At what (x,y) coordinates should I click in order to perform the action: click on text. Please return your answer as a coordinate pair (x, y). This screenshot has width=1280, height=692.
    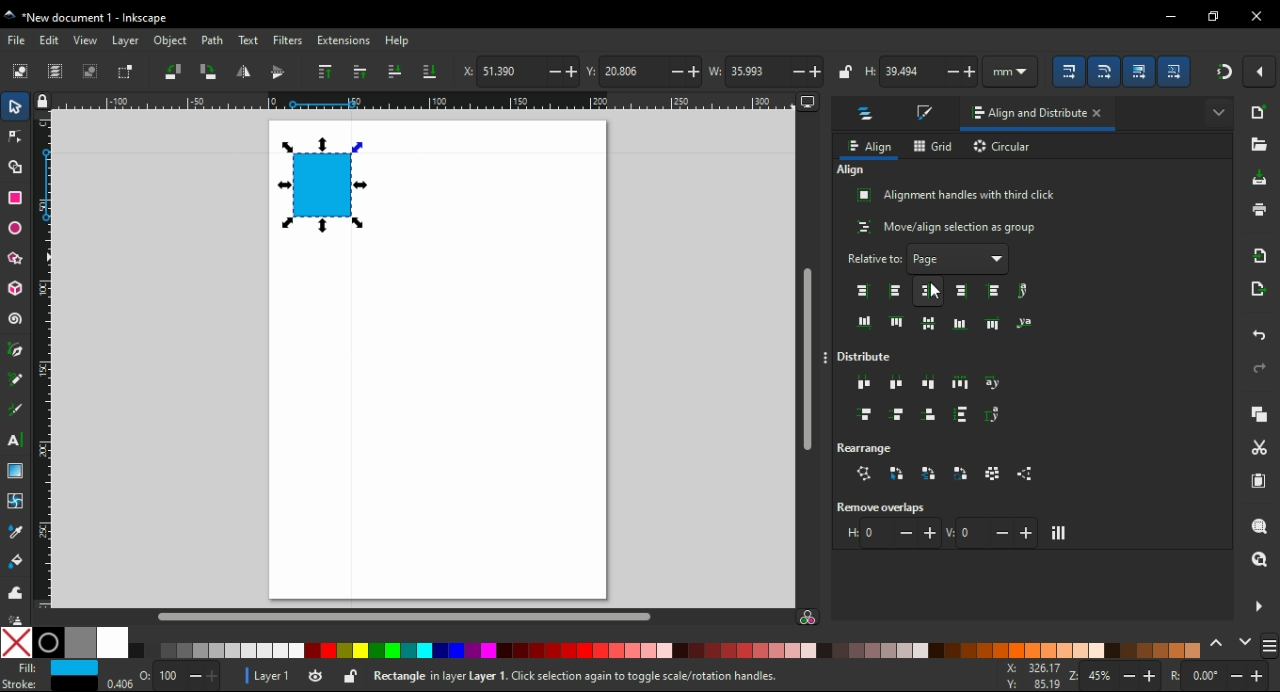
    Looking at the image, I should click on (247, 41).